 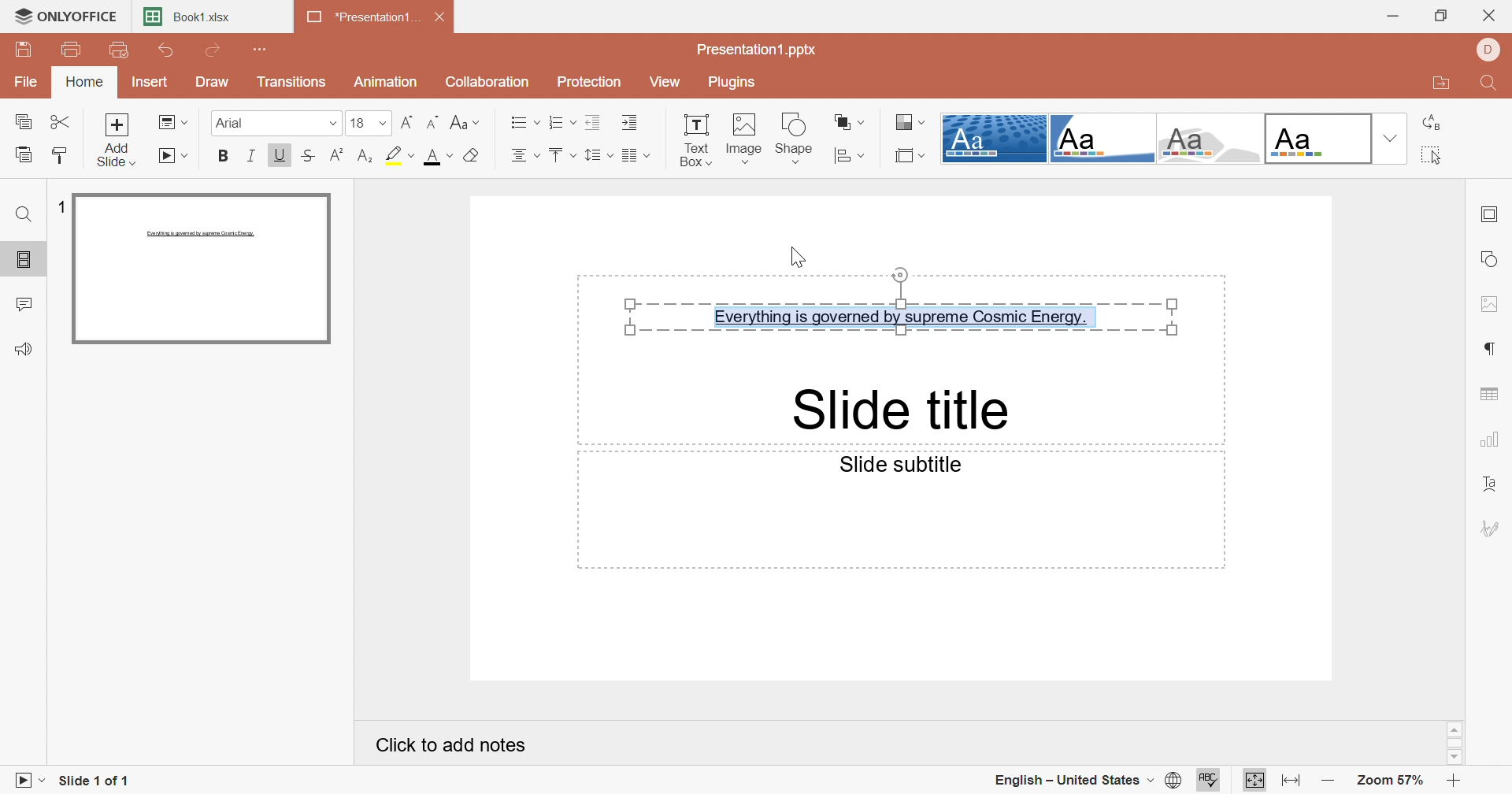 What do you see at coordinates (629, 123) in the screenshot?
I see `Increase Indent` at bounding box center [629, 123].